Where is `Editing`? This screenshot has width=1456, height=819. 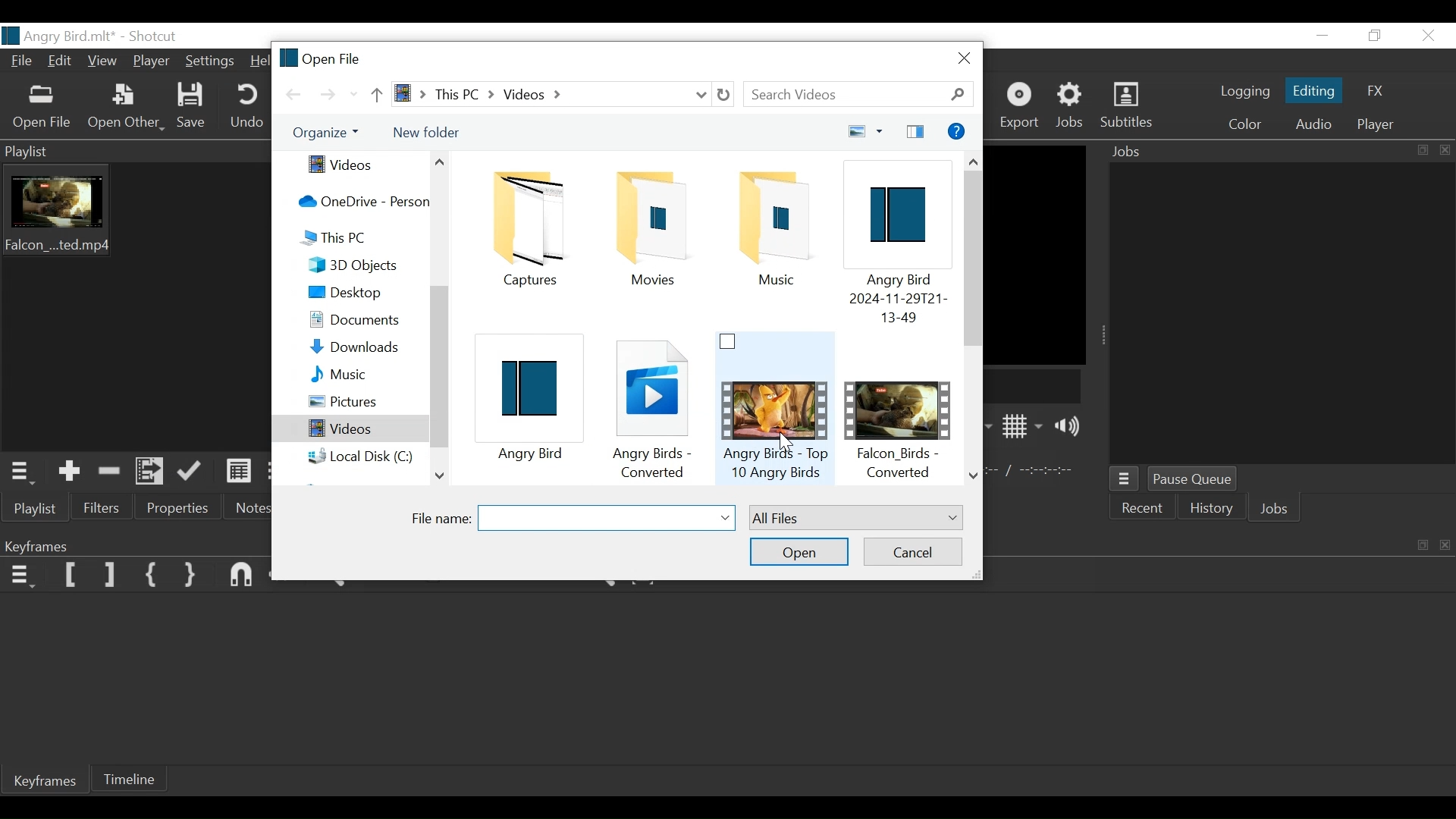
Editing is located at coordinates (1316, 91).